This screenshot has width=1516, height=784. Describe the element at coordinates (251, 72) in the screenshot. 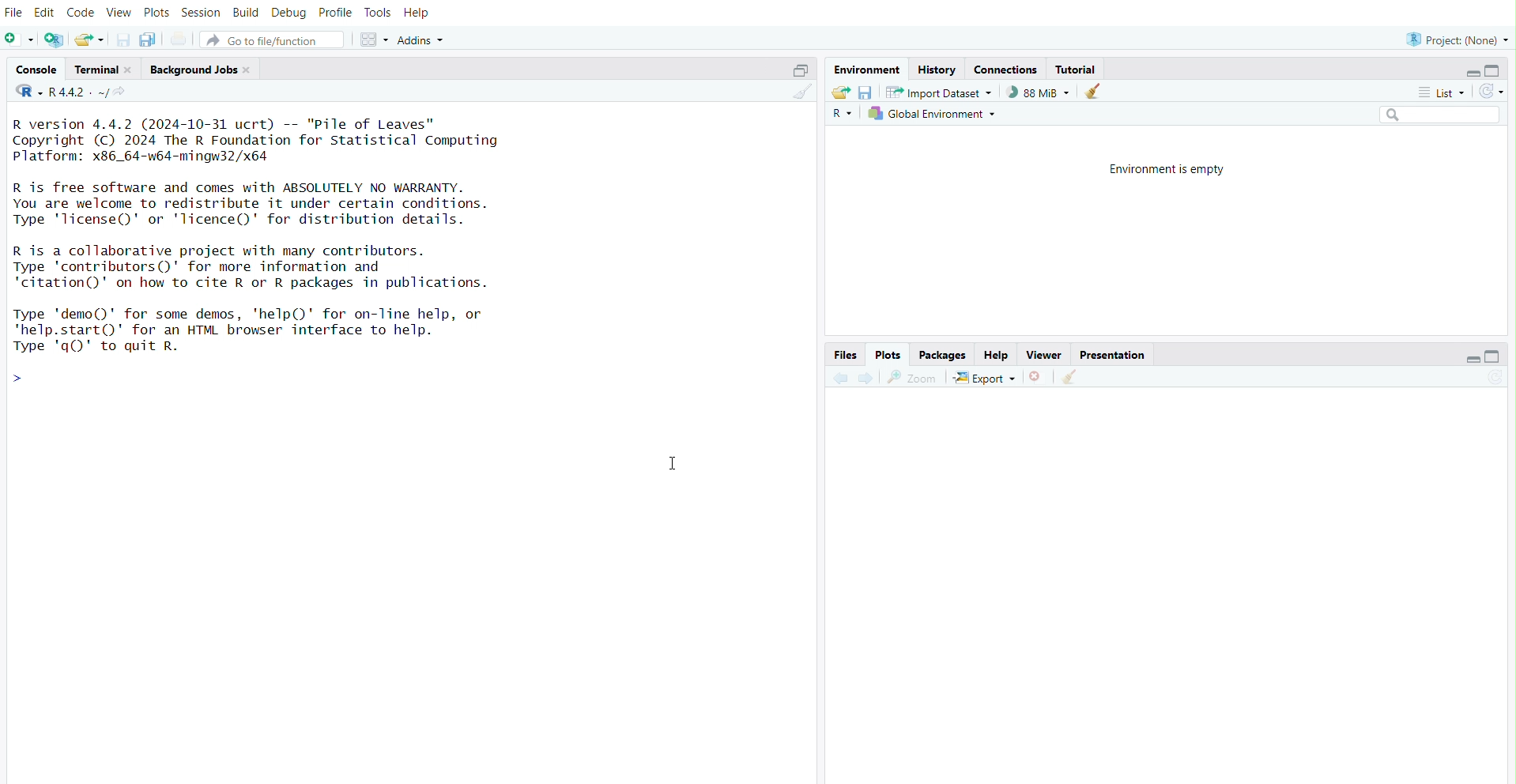

I see `close` at that location.